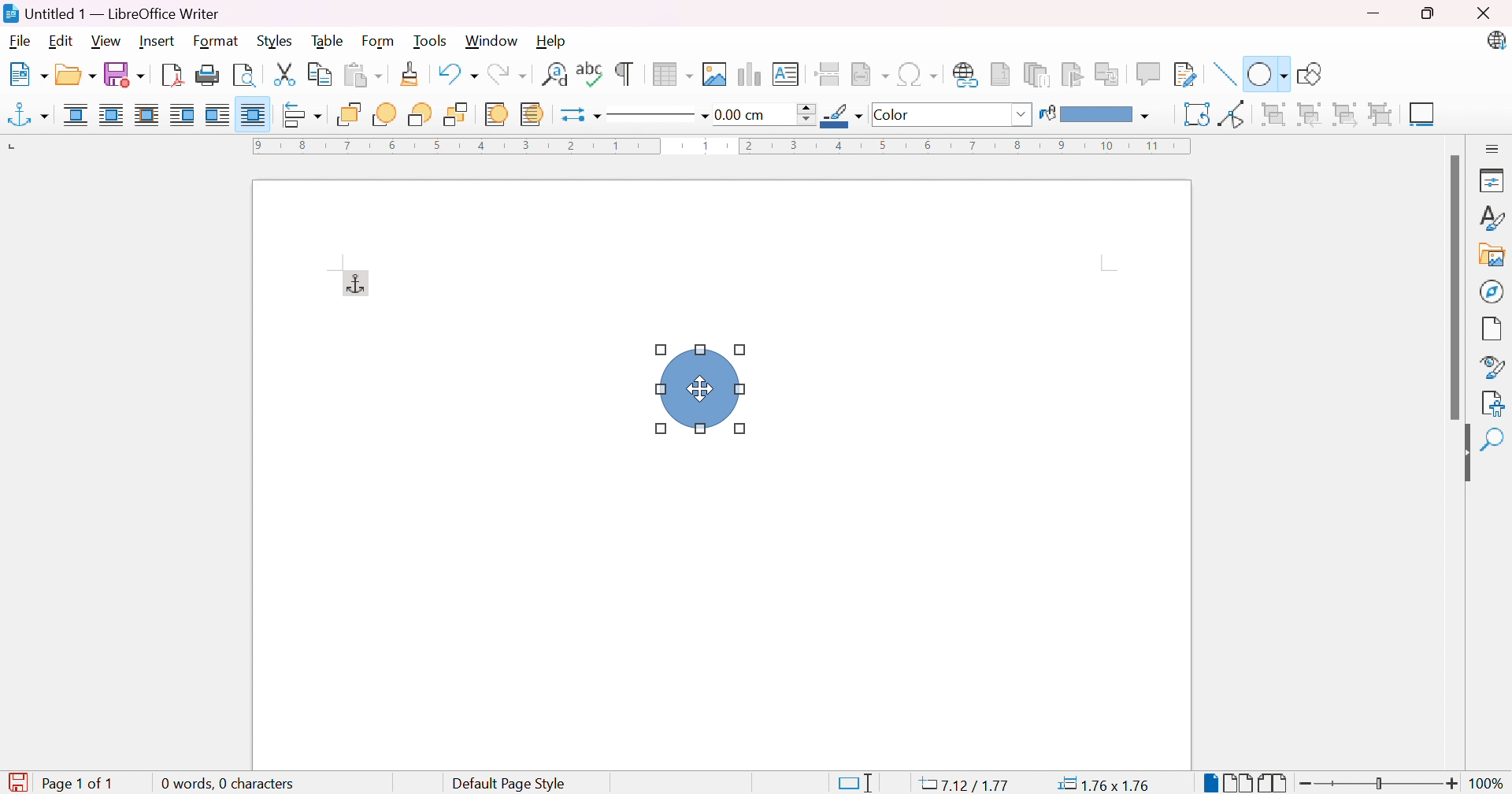 This screenshot has height=794, width=1512. I want to click on Check spelling, so click(591, 72).